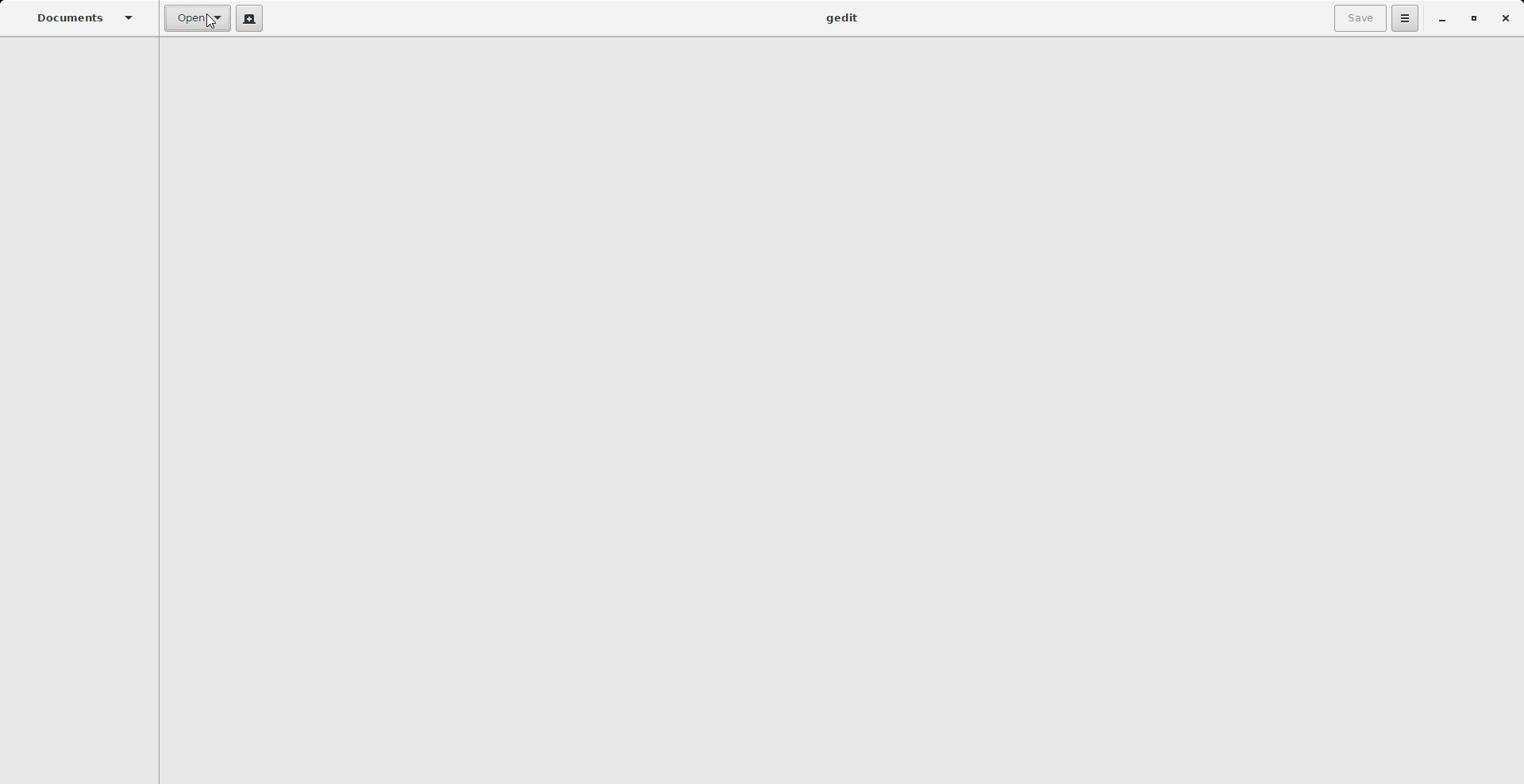 The image size is (1524, 784). I want to click on New, so click(254, 17).